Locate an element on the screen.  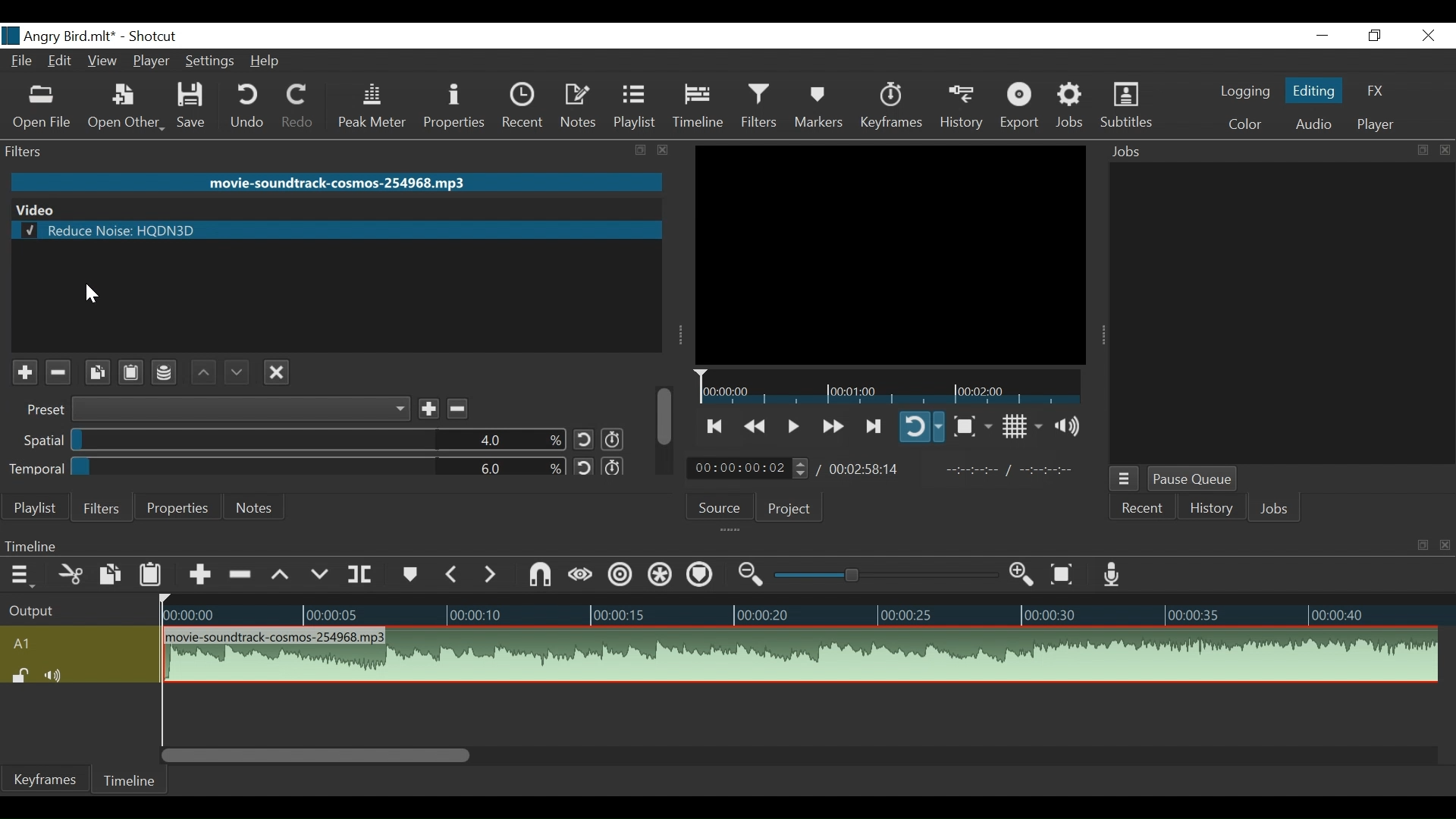
Save is located at coordinates (431, 408).